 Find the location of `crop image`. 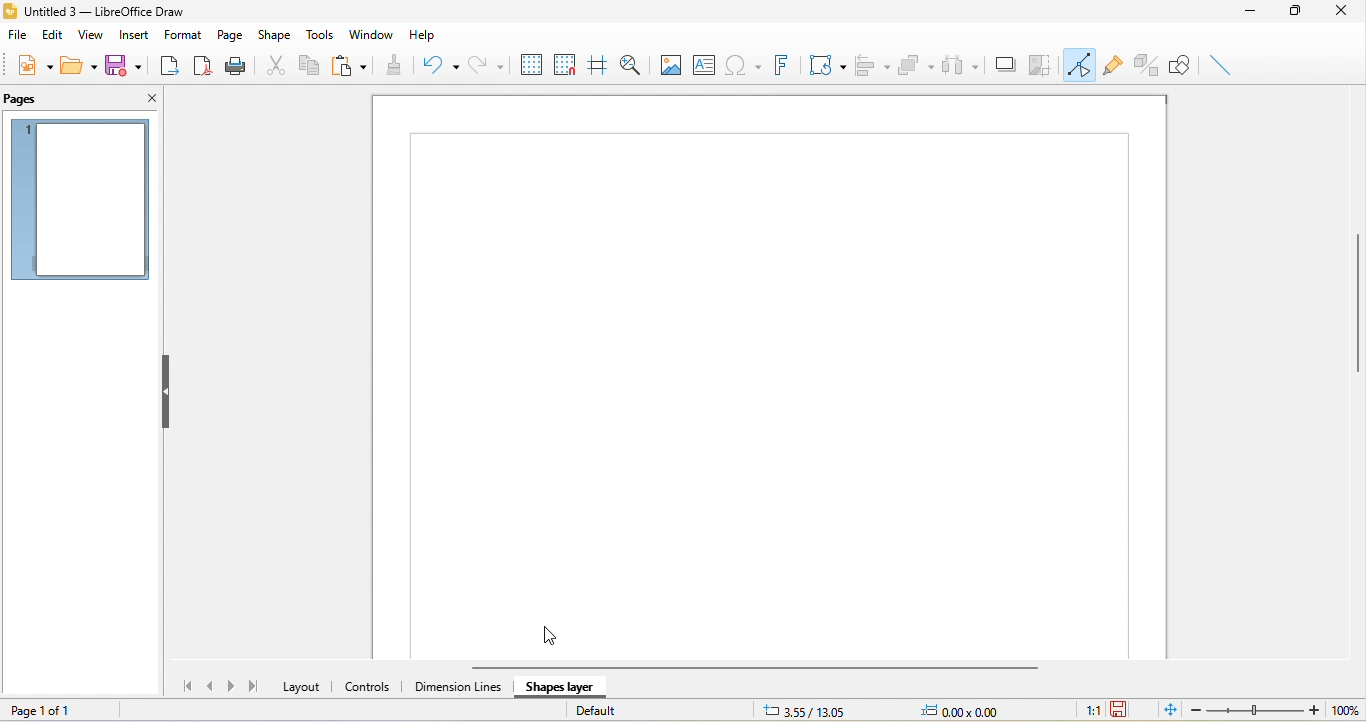

crop image is located at coordinates (1042, 64).